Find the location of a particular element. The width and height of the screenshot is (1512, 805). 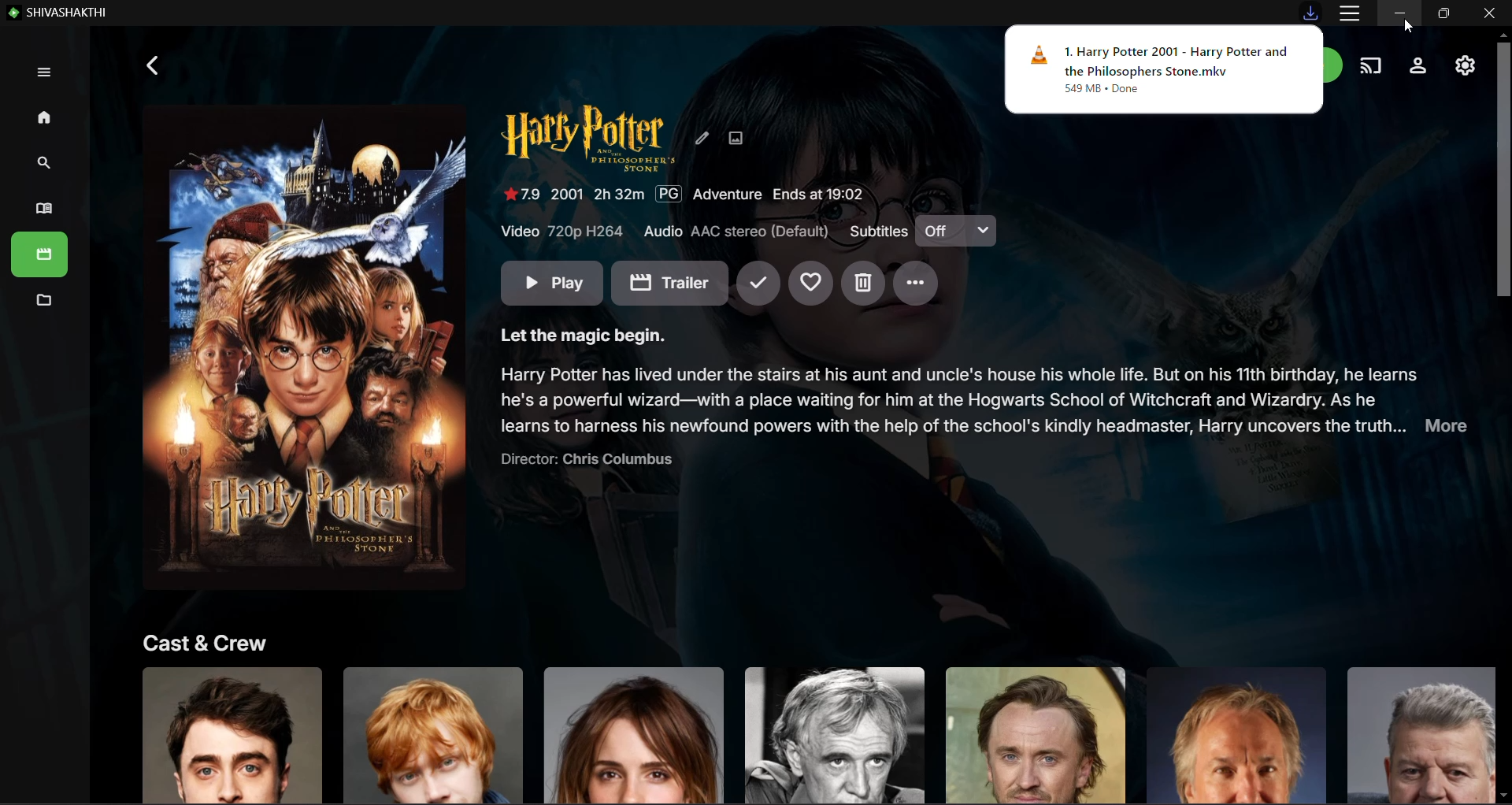

Metadata Manager is located at coordinates (42, 302).